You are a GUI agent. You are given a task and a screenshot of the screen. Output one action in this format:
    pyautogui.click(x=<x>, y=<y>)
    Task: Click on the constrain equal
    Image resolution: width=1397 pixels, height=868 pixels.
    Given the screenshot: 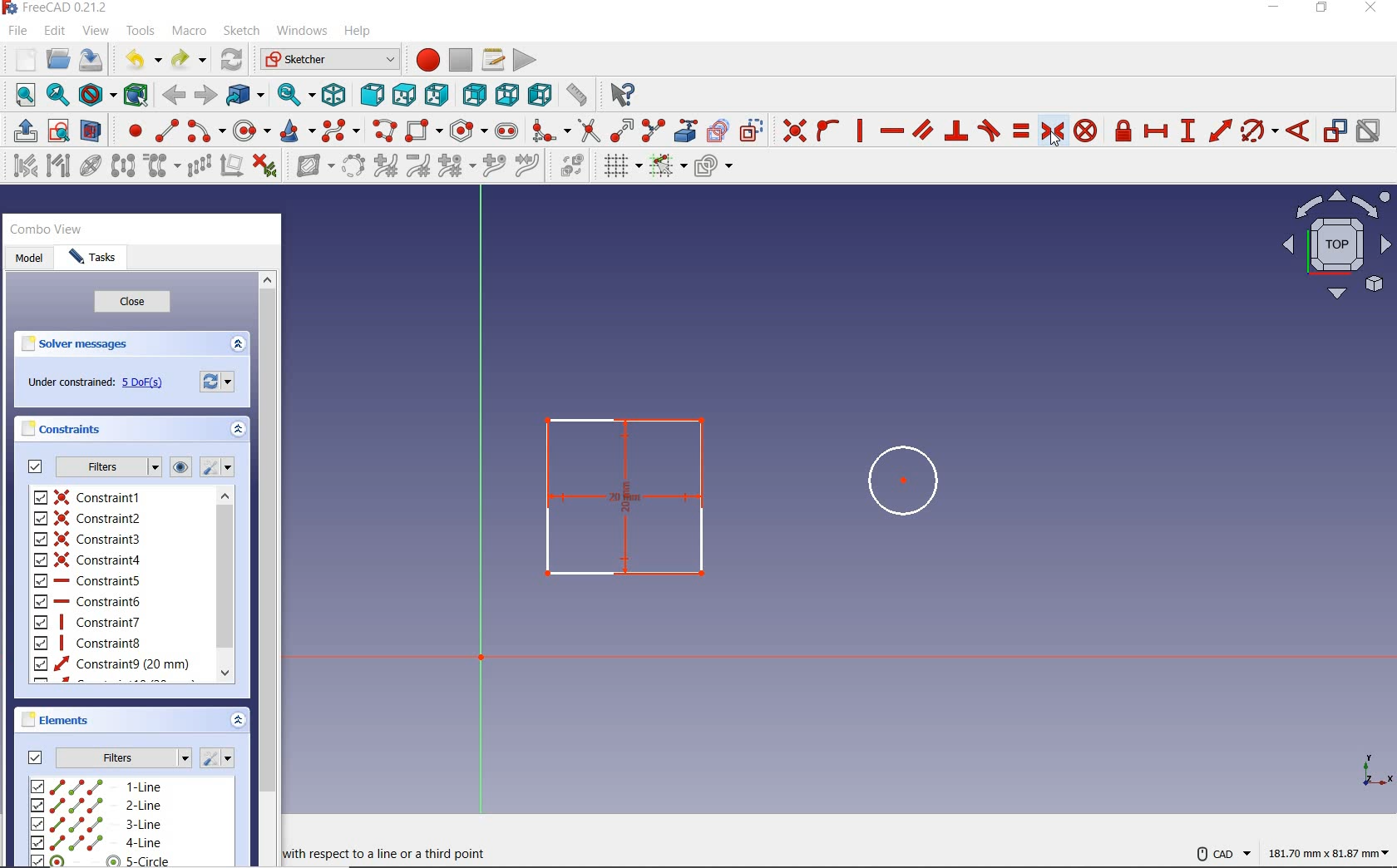 What is the action you would take?
    pyautogui.click(x=1021, y=133)
    